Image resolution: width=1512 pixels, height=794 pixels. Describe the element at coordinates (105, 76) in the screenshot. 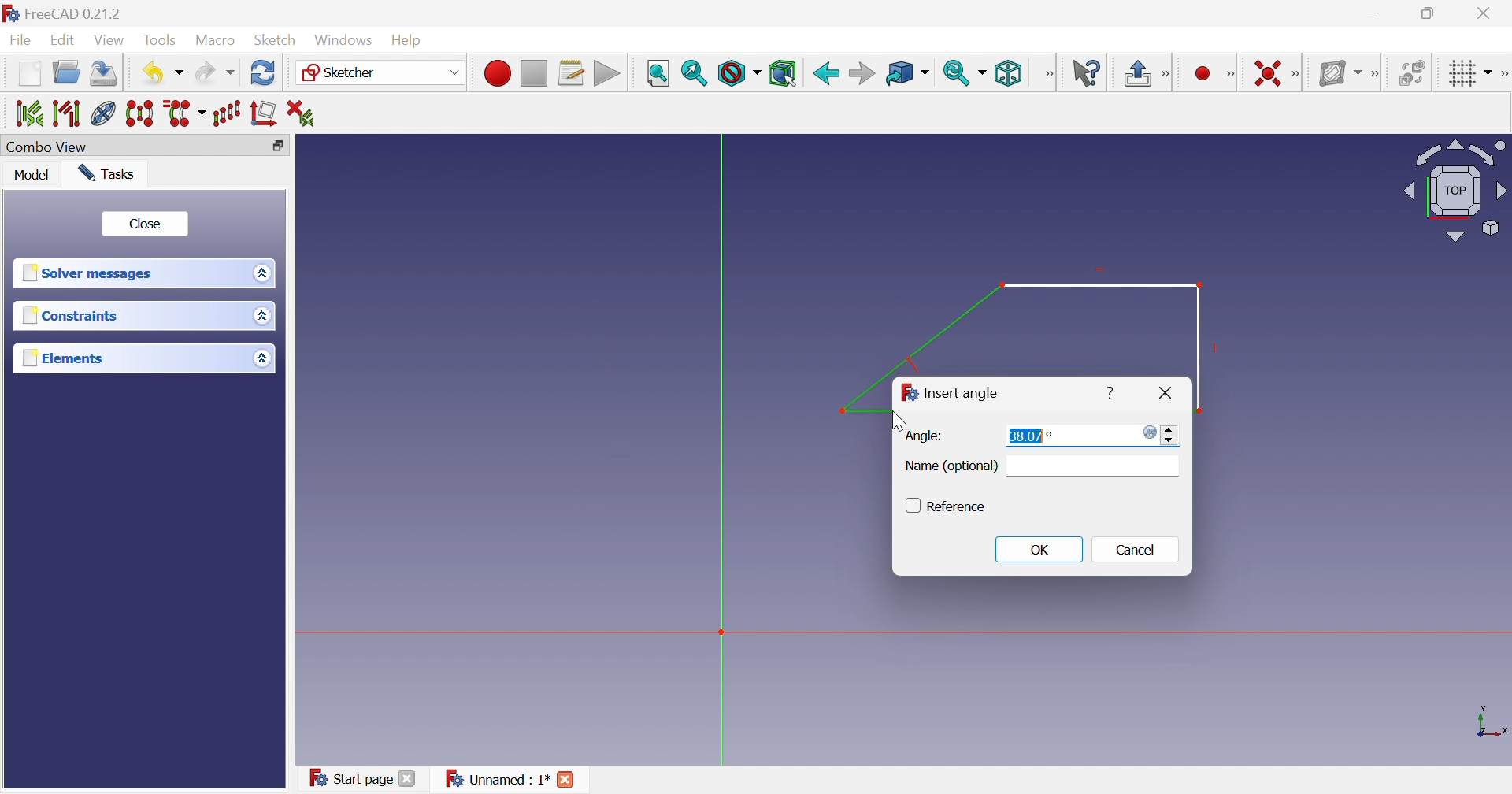

I see `Save` at that location.